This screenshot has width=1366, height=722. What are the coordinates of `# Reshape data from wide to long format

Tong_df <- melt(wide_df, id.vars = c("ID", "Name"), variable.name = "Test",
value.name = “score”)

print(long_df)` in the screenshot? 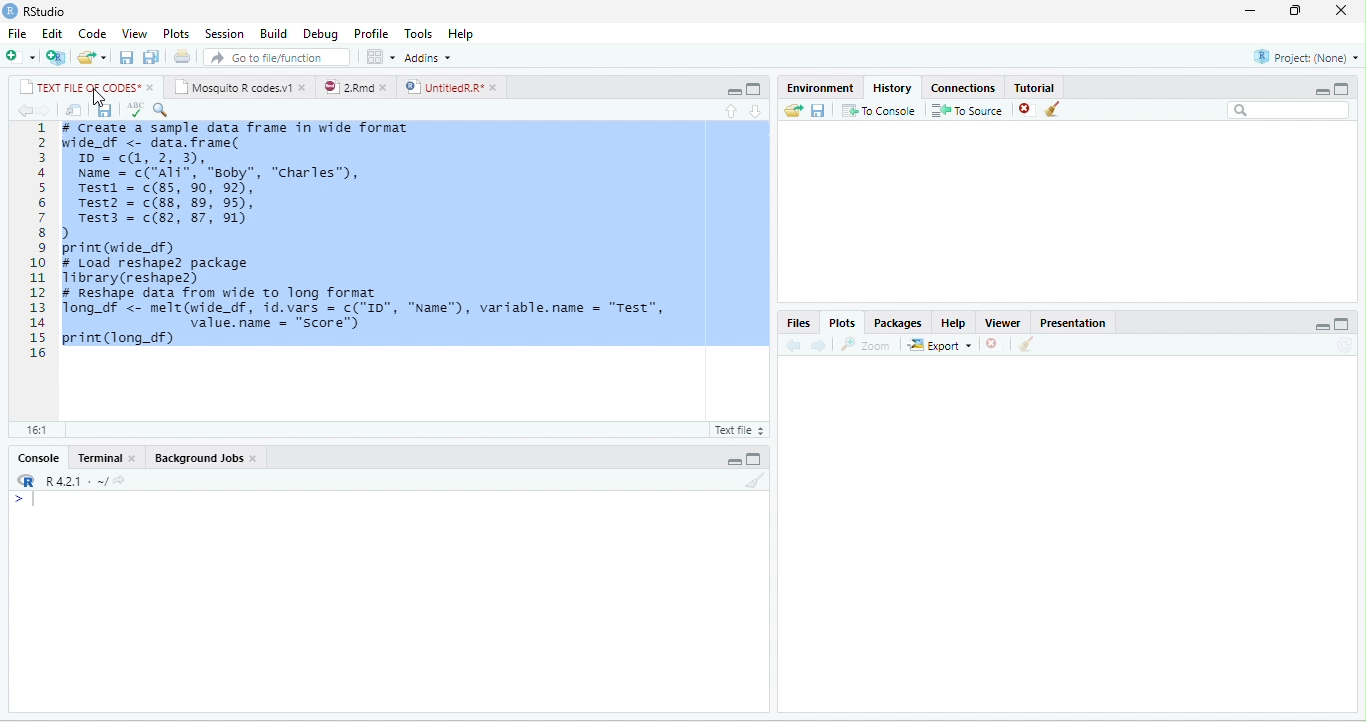 It's located at (375, 316).